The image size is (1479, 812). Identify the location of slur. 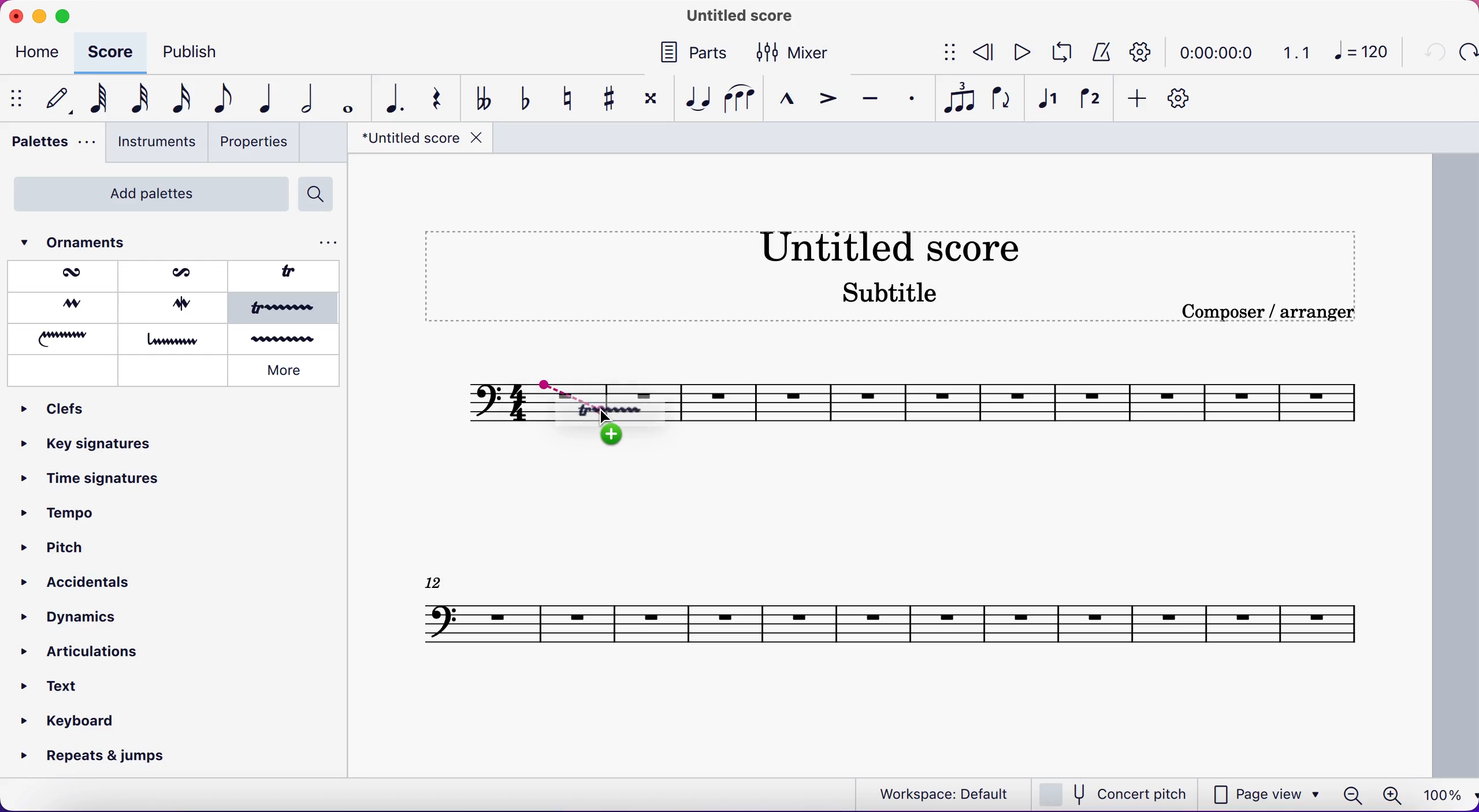
(739, 99).